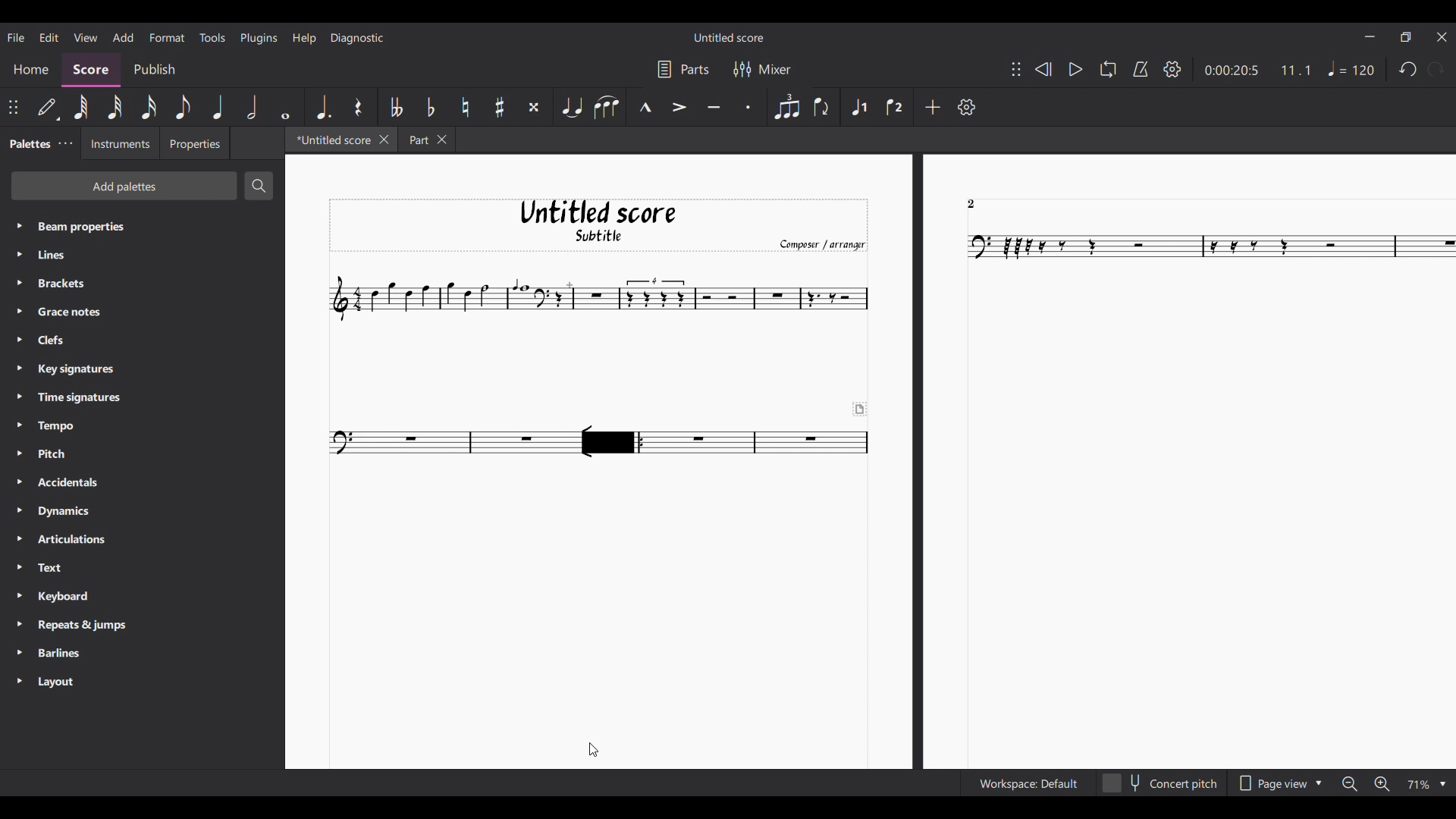 The height and width of the screenshot is (819, 1456). I want to click on Current duration and ratio, so click(1258, 71).